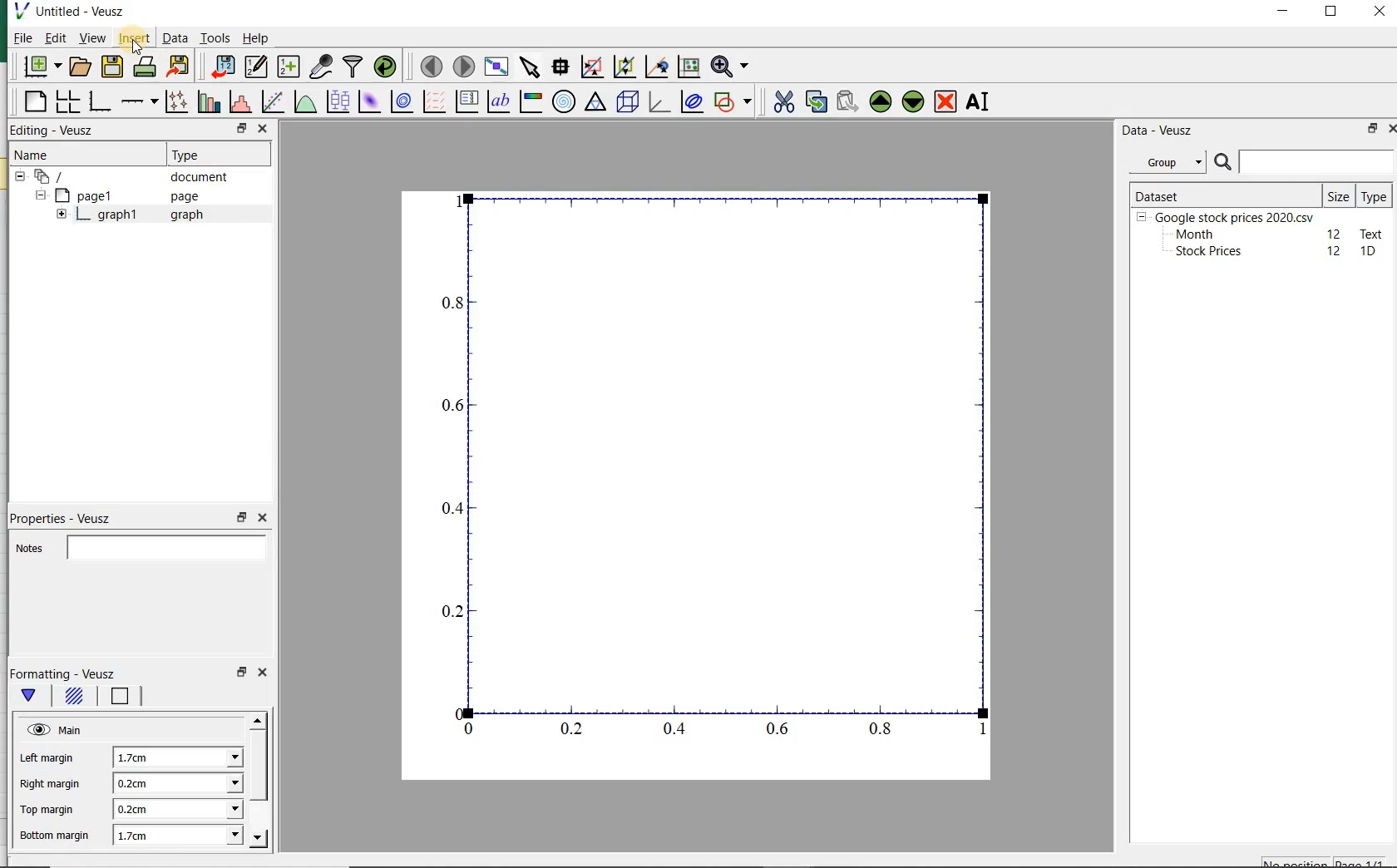 The image size is (1397, 868). What do you see at coordinates (733, 102) in the screenshot?
I see `add a shape to the plot` at bounding box center [733, 102].